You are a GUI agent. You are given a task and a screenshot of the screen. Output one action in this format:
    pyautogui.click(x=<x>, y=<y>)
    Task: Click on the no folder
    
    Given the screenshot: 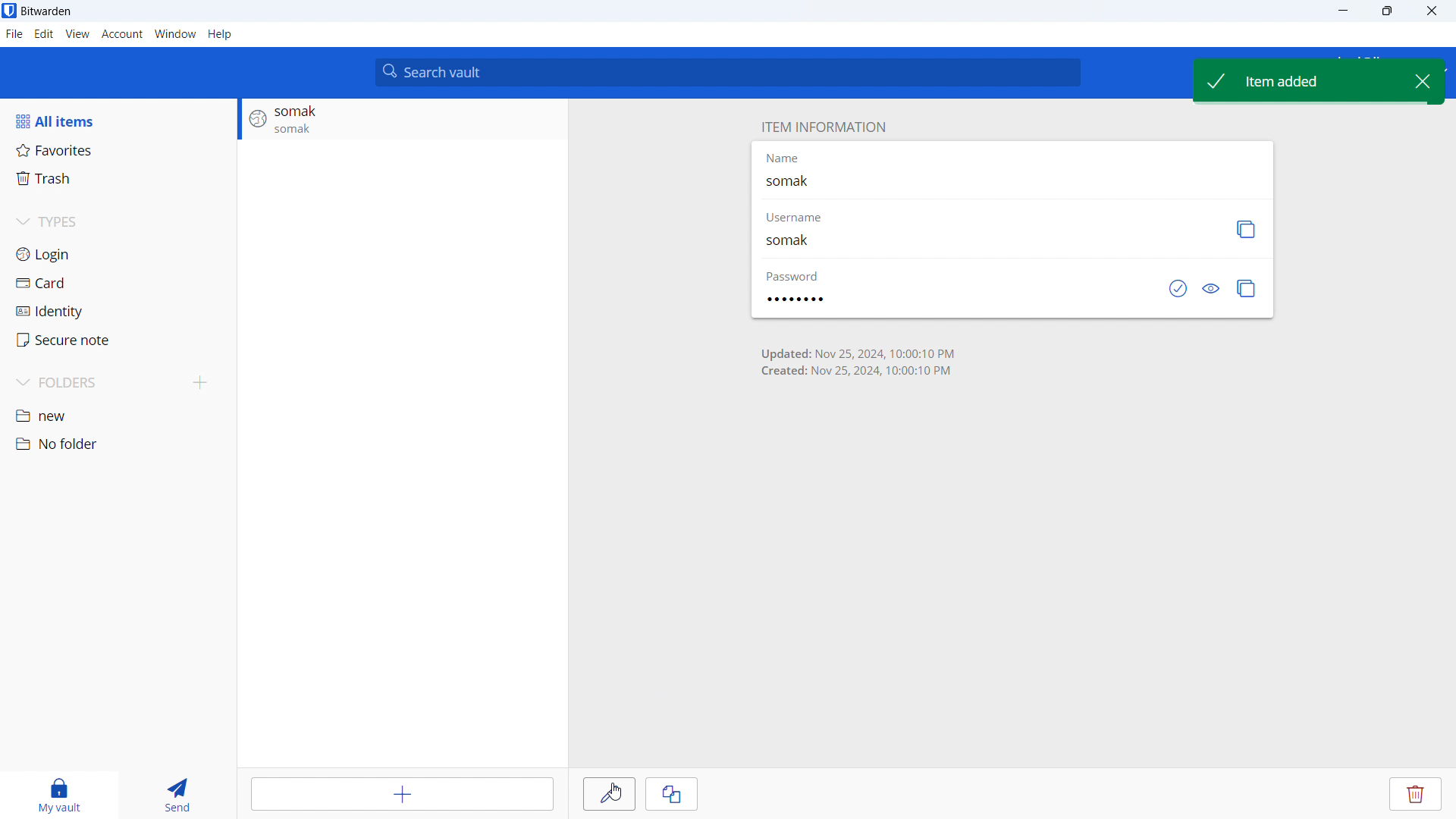 What is the action you would take?
    pyautogui.click(x=116, y=444)
    